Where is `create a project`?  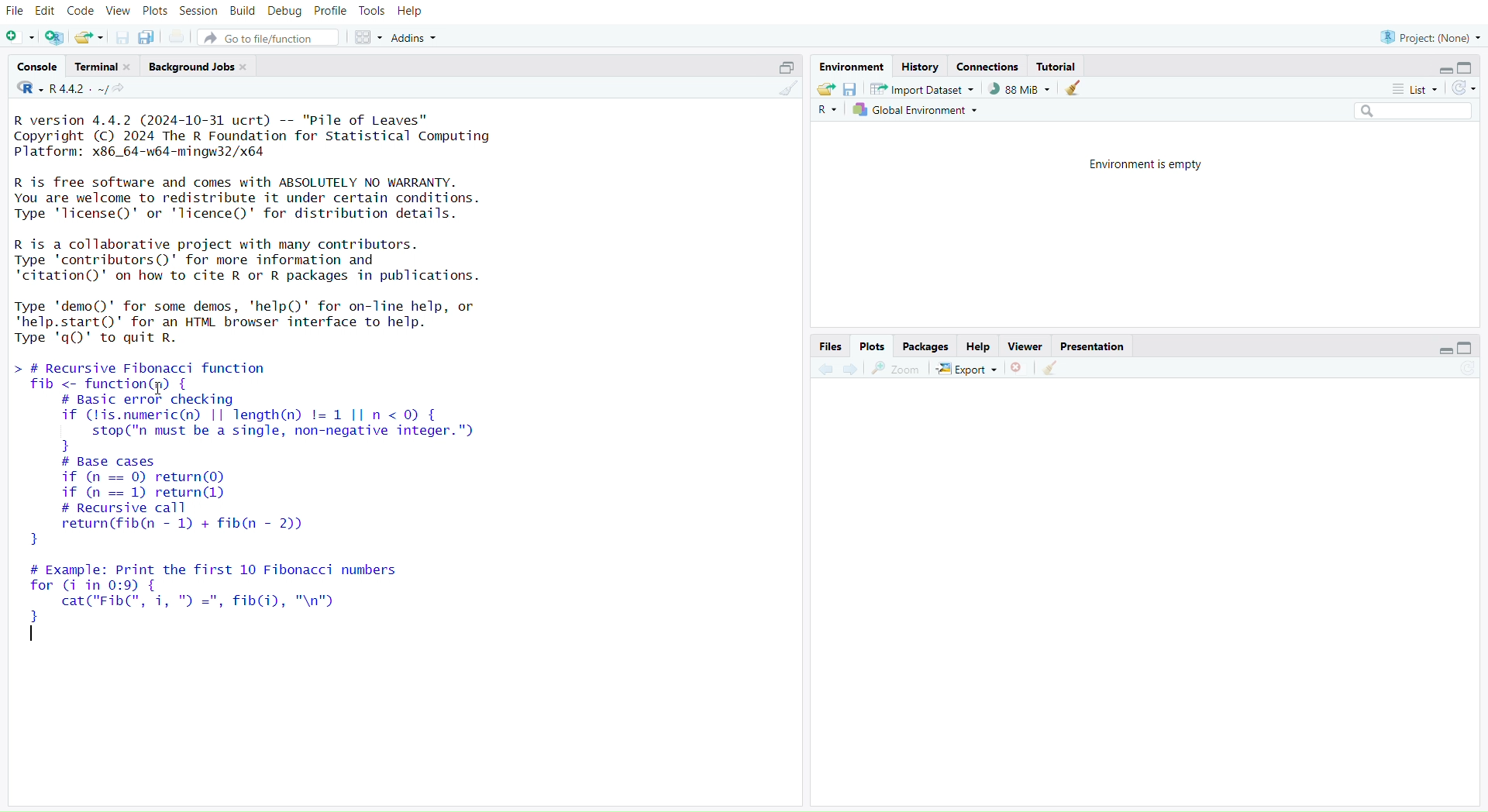 create a project is located at coordinates (55, 39).